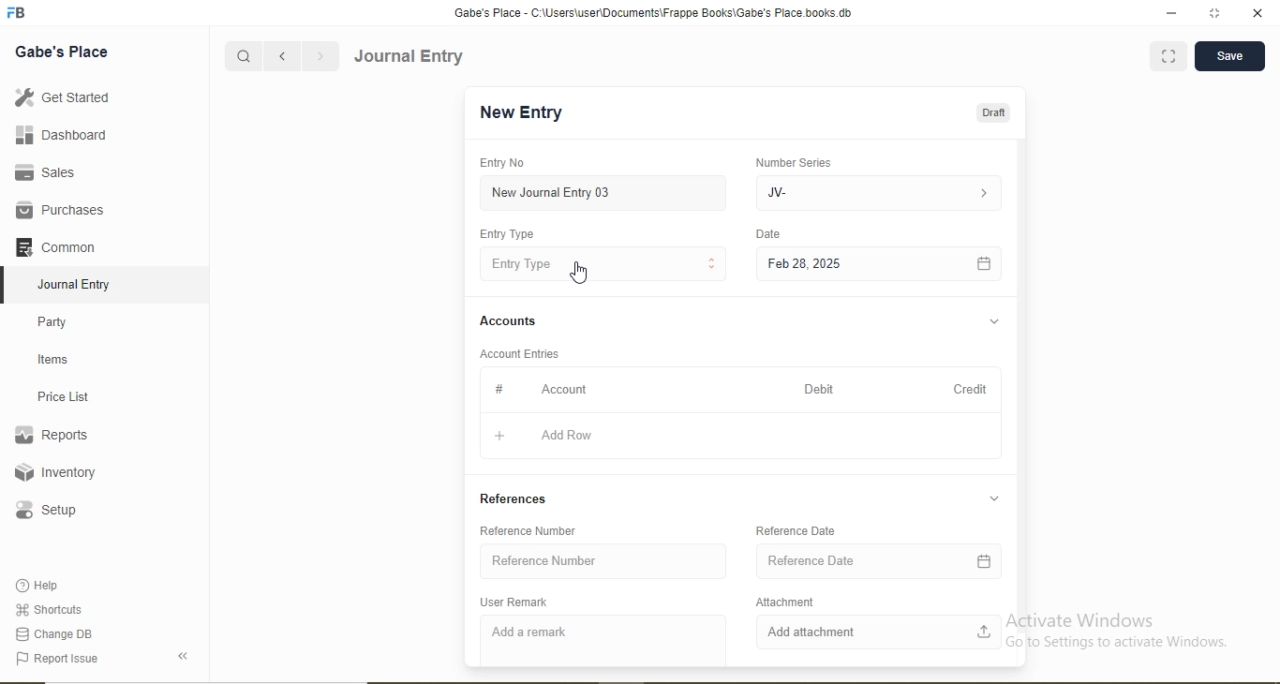 This screenshot has height=684, width=1280. What do you see at coordinates (242, 57) in the screenshot?
I see `Search` at bounding box center [242, 57].